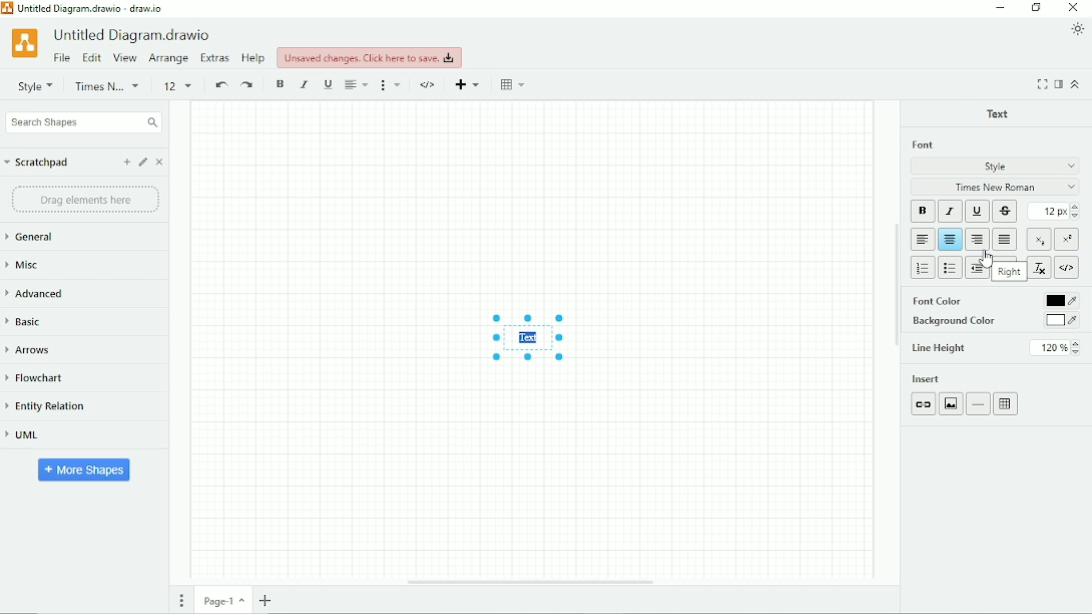  What do you see at coordinates (1005, 239) in the screenshot?
I see `Block` at bounding box center [1005, 239].